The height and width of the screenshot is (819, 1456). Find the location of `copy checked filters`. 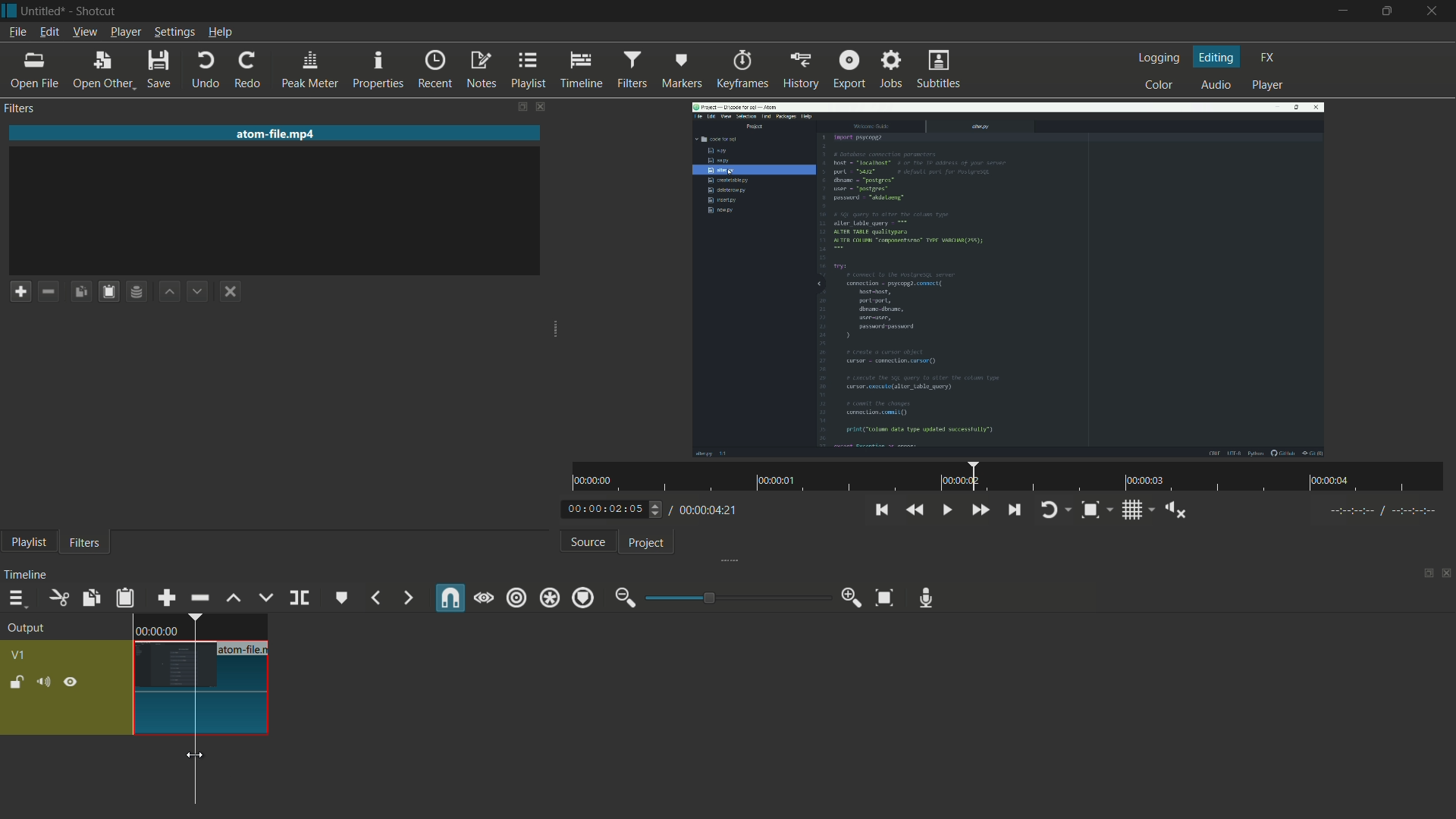

copy checked filters is located at coordinates (80, 291).